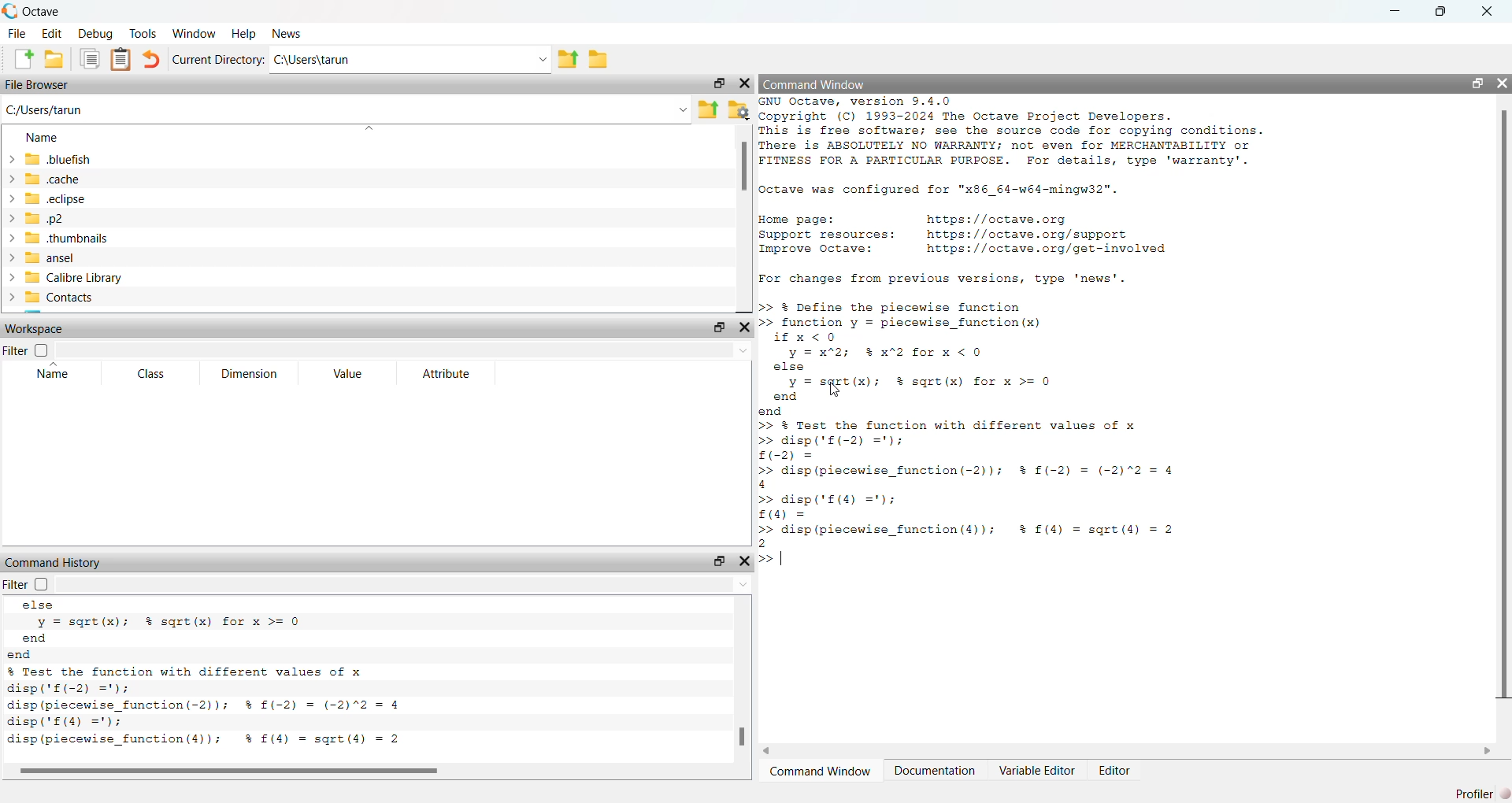 The image size is (1512, 803). I want to click on Help, so click(242, 33).